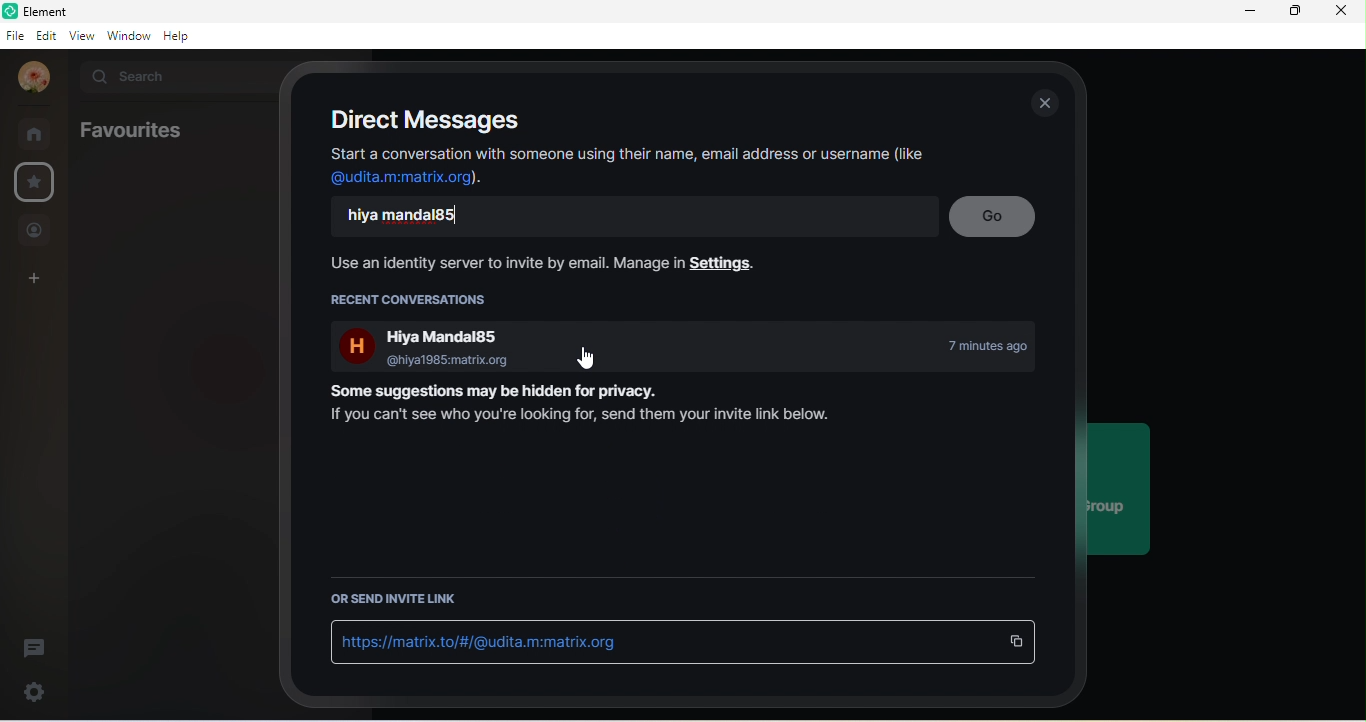 The width and height of the screenshot is (1366, 722). What do you see at coordinates (129, 130) in the screenshot?
I see `favourites` at bounding box center [129, 130].